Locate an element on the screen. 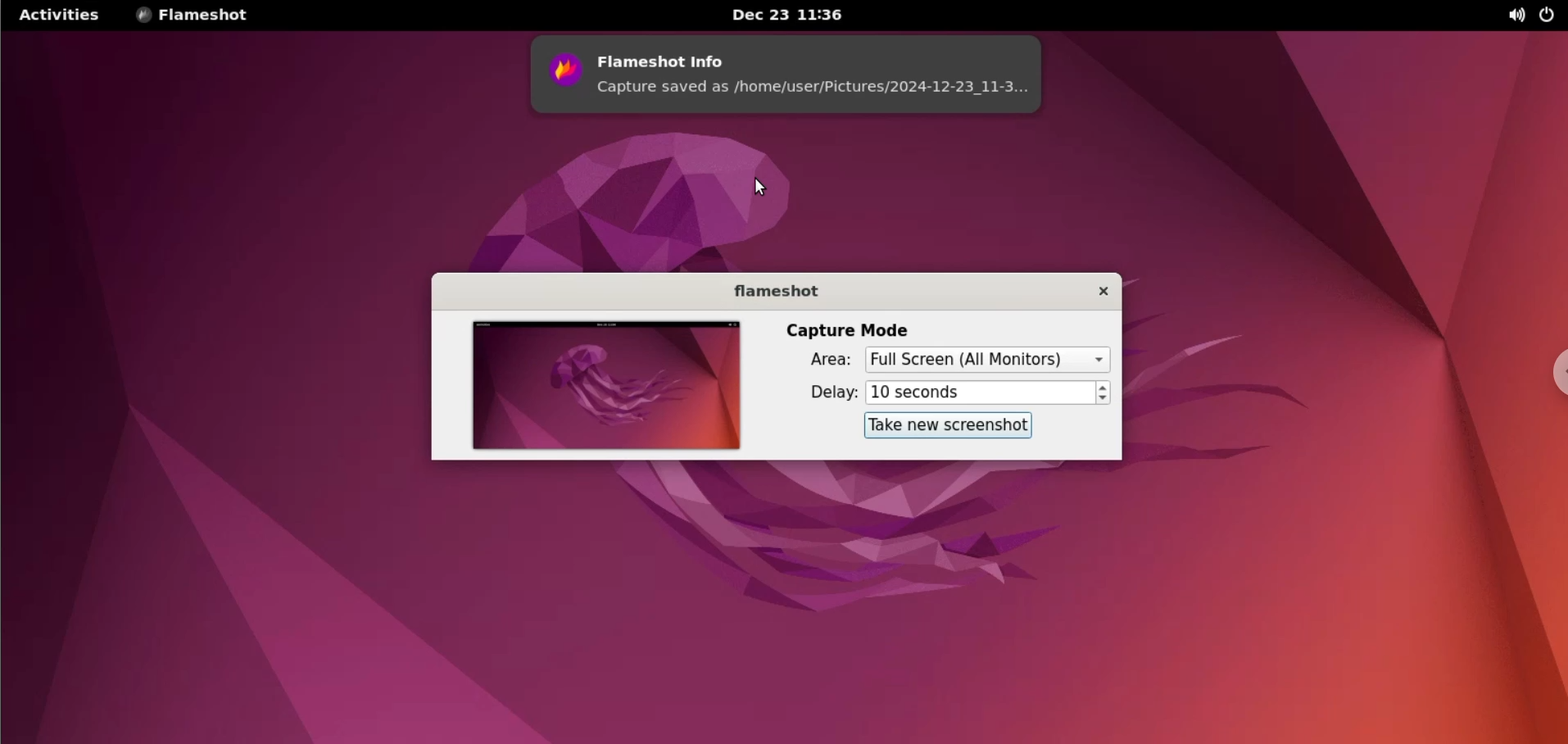 The image size is (1568, 744). cursor is located at coordinates (766, 186).